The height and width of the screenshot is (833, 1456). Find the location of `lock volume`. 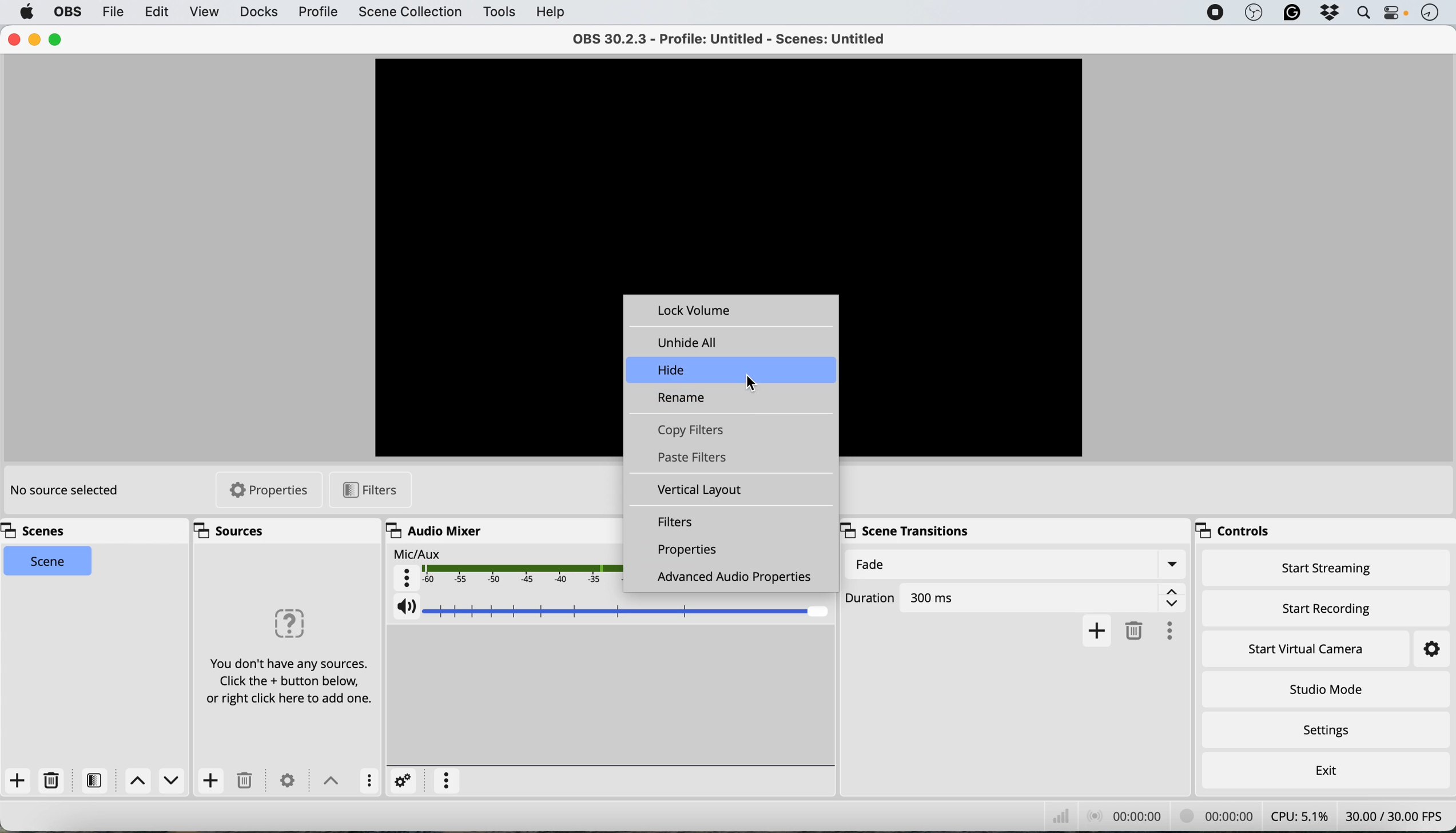

lock volume is located at coordinates (699, 311).